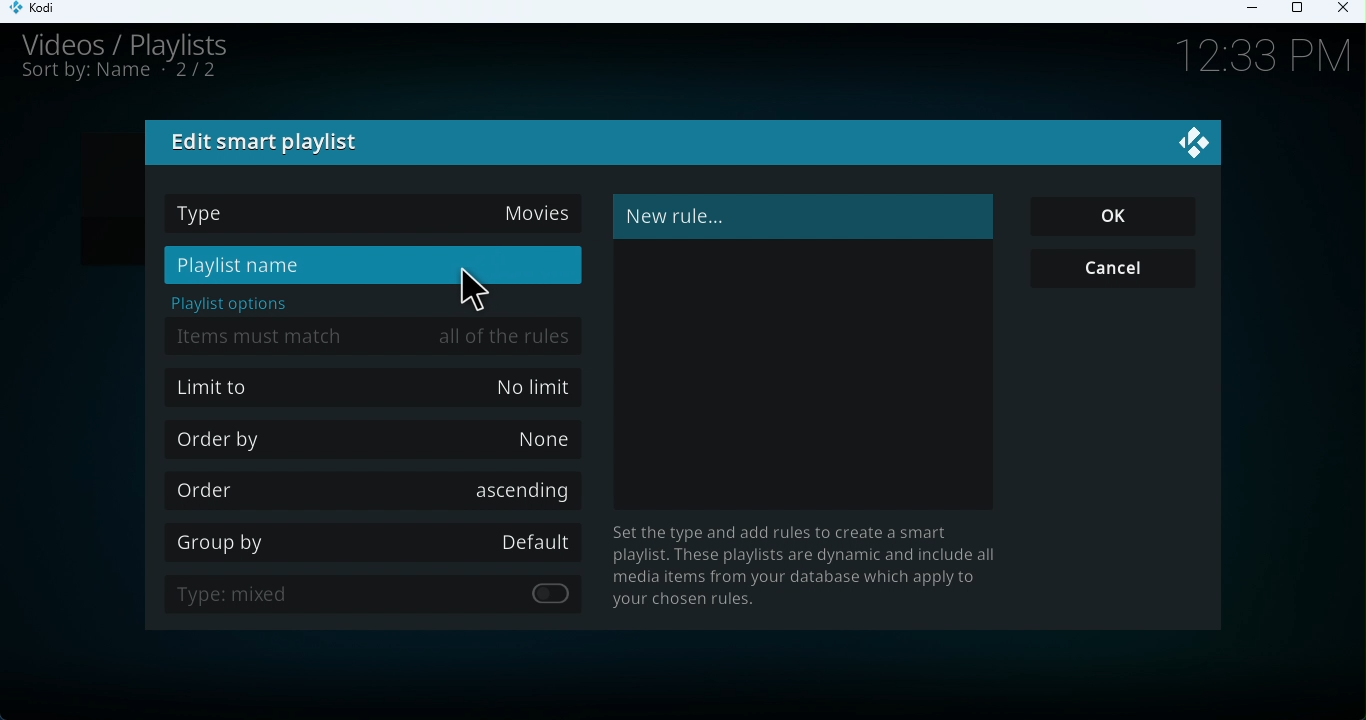 The width and height of the screenshot is (1366, 720). Describe the element at coordinates (378, 334) in the screenshot. I see `Items much watch` at that location.